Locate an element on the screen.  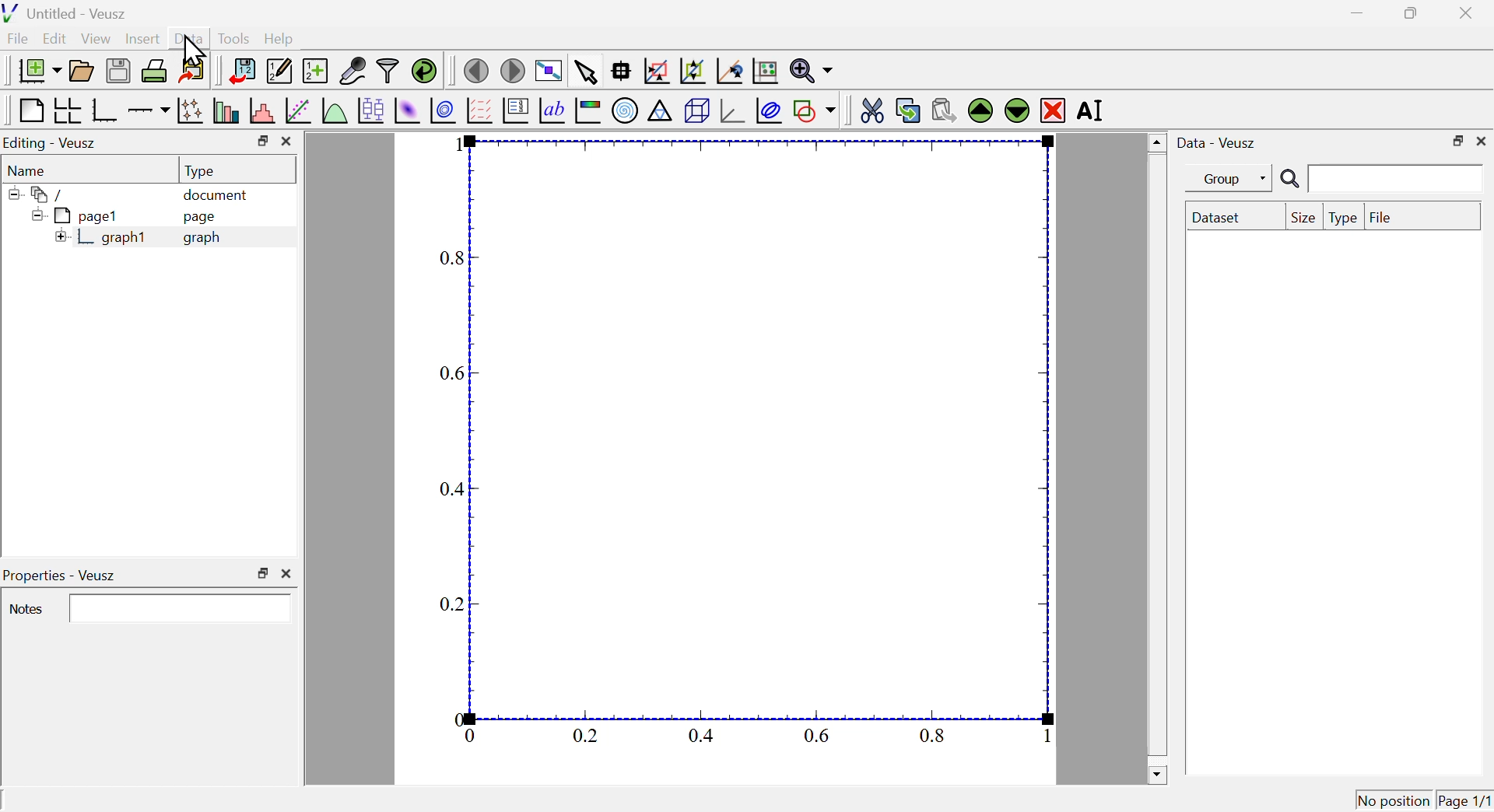
move to the previous page is located at coordinates (475, 69).